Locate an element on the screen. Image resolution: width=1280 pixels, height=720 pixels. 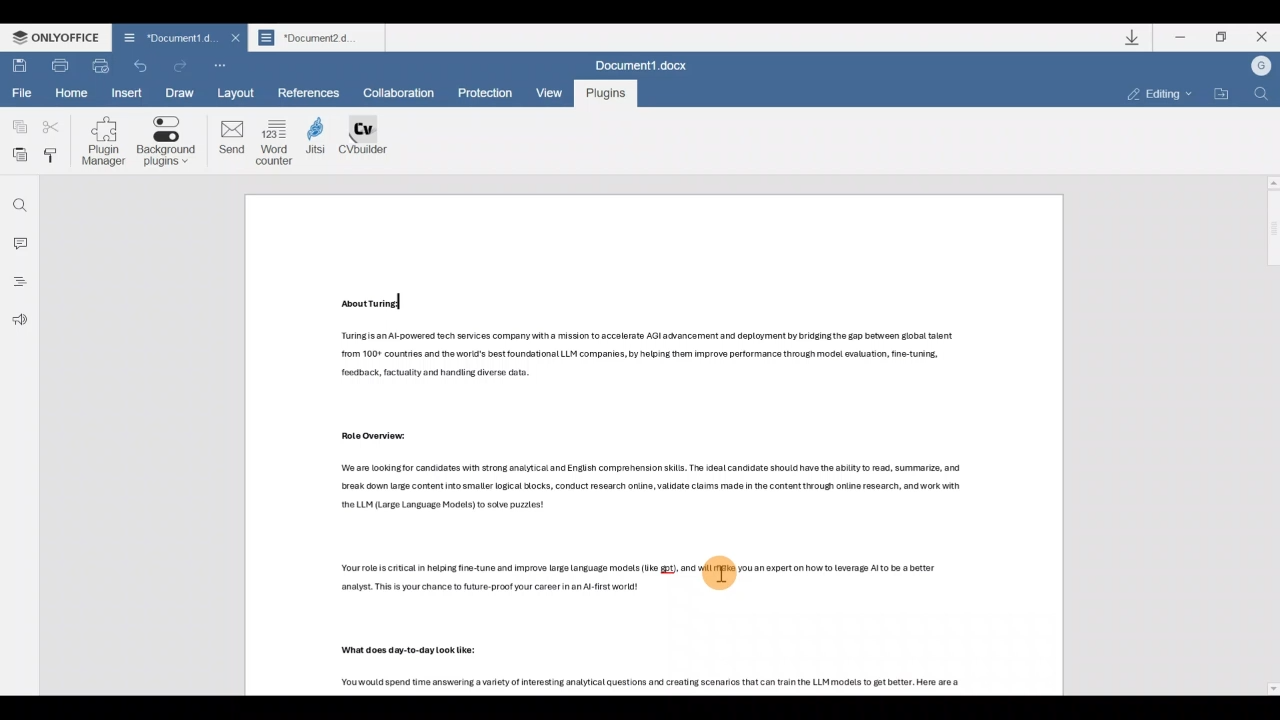
Close is located at coordinates (1262, 40).